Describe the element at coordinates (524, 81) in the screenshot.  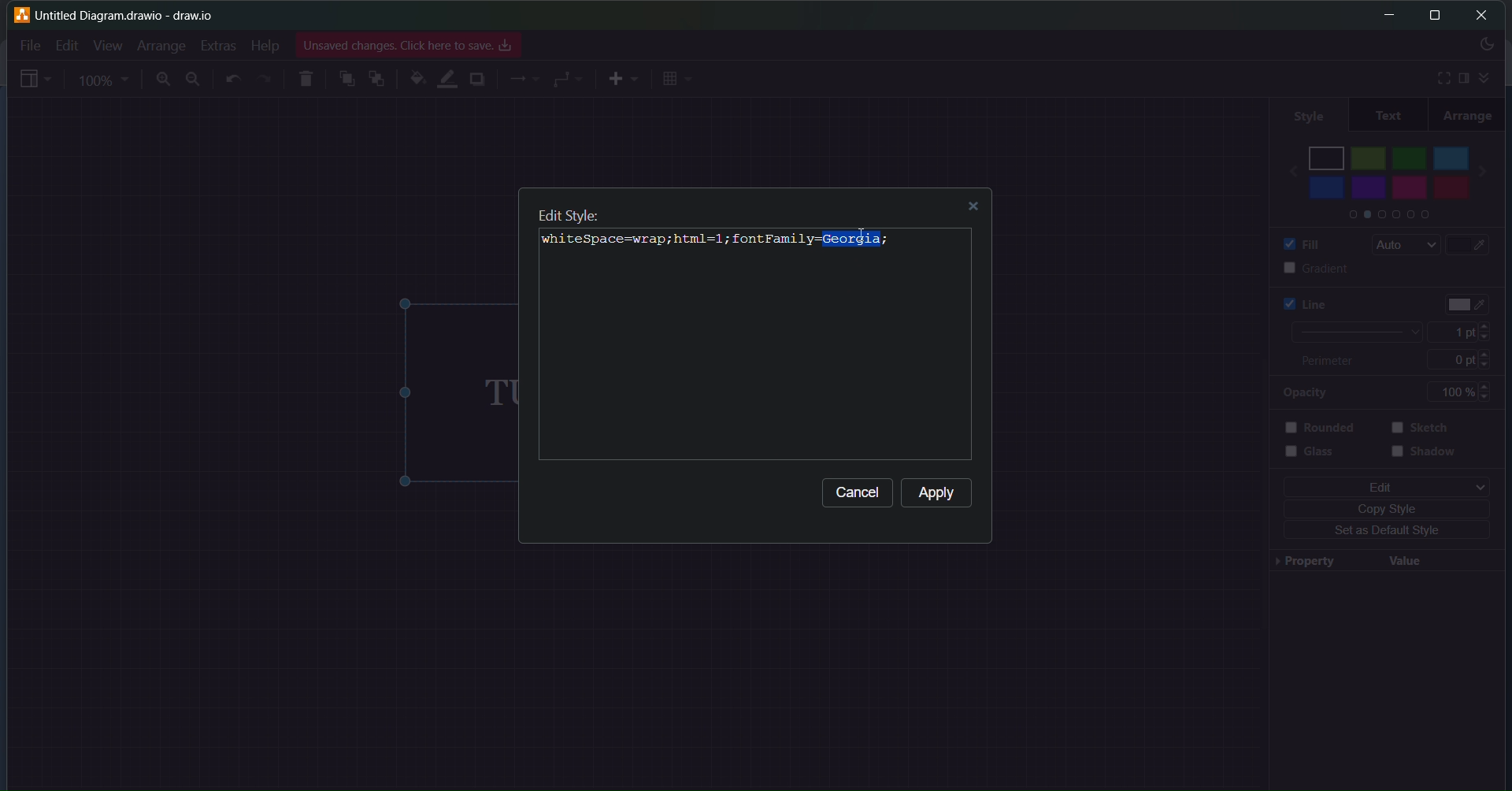
I see `lines` at that location.